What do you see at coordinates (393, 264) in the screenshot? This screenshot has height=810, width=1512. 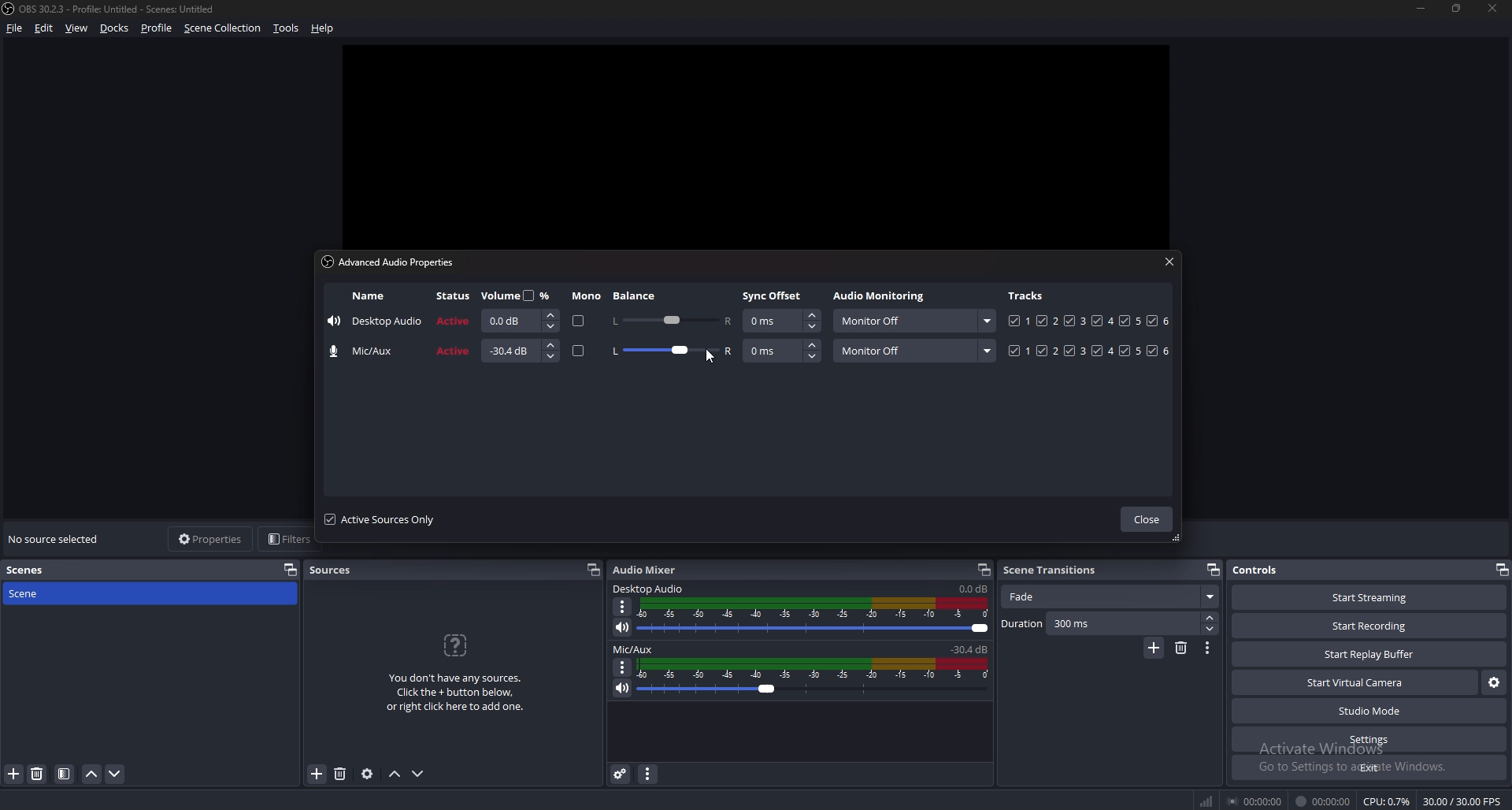 I see `advanced audio properties` at bounding box center [393, 264].